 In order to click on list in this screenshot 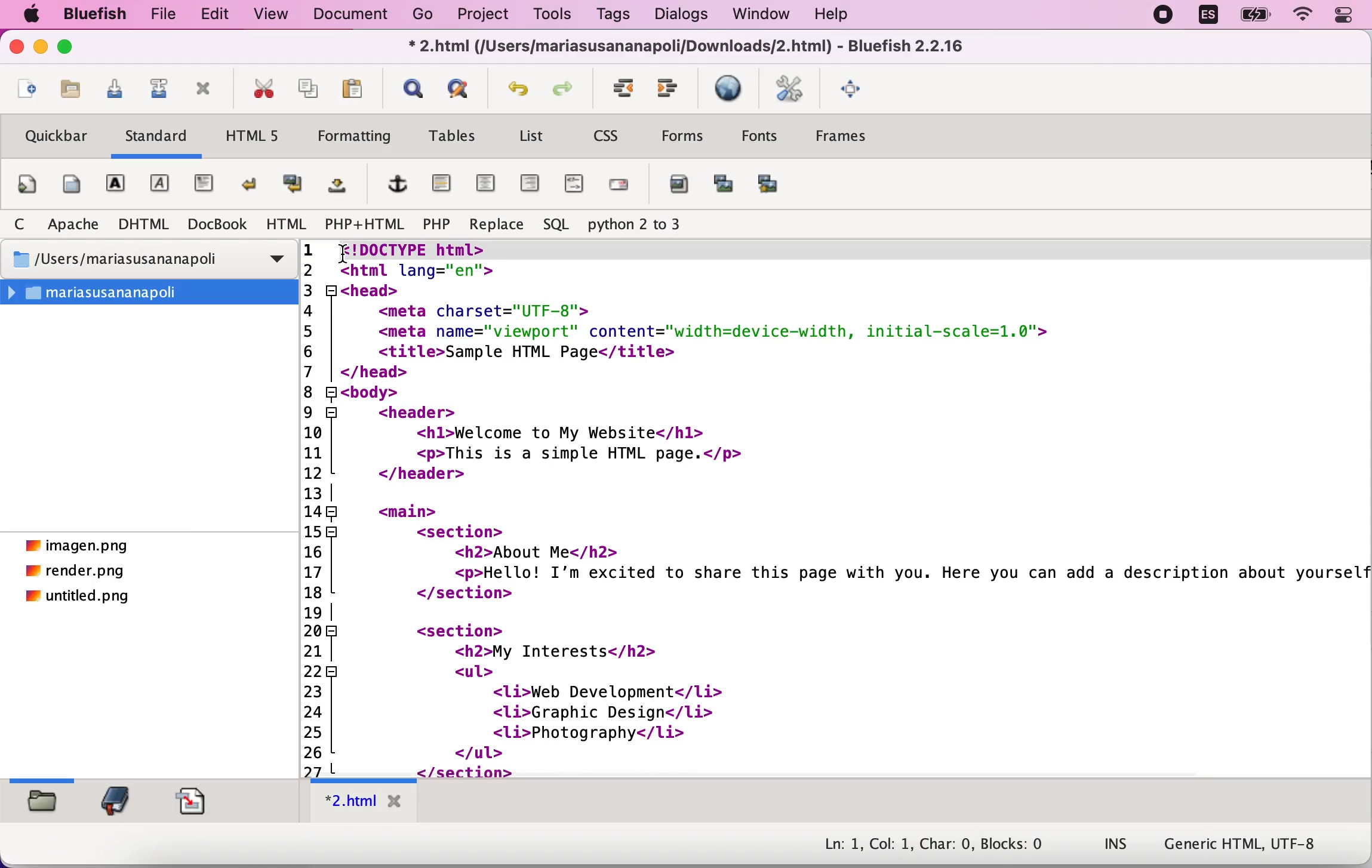, I will do `click(531, 138)`.